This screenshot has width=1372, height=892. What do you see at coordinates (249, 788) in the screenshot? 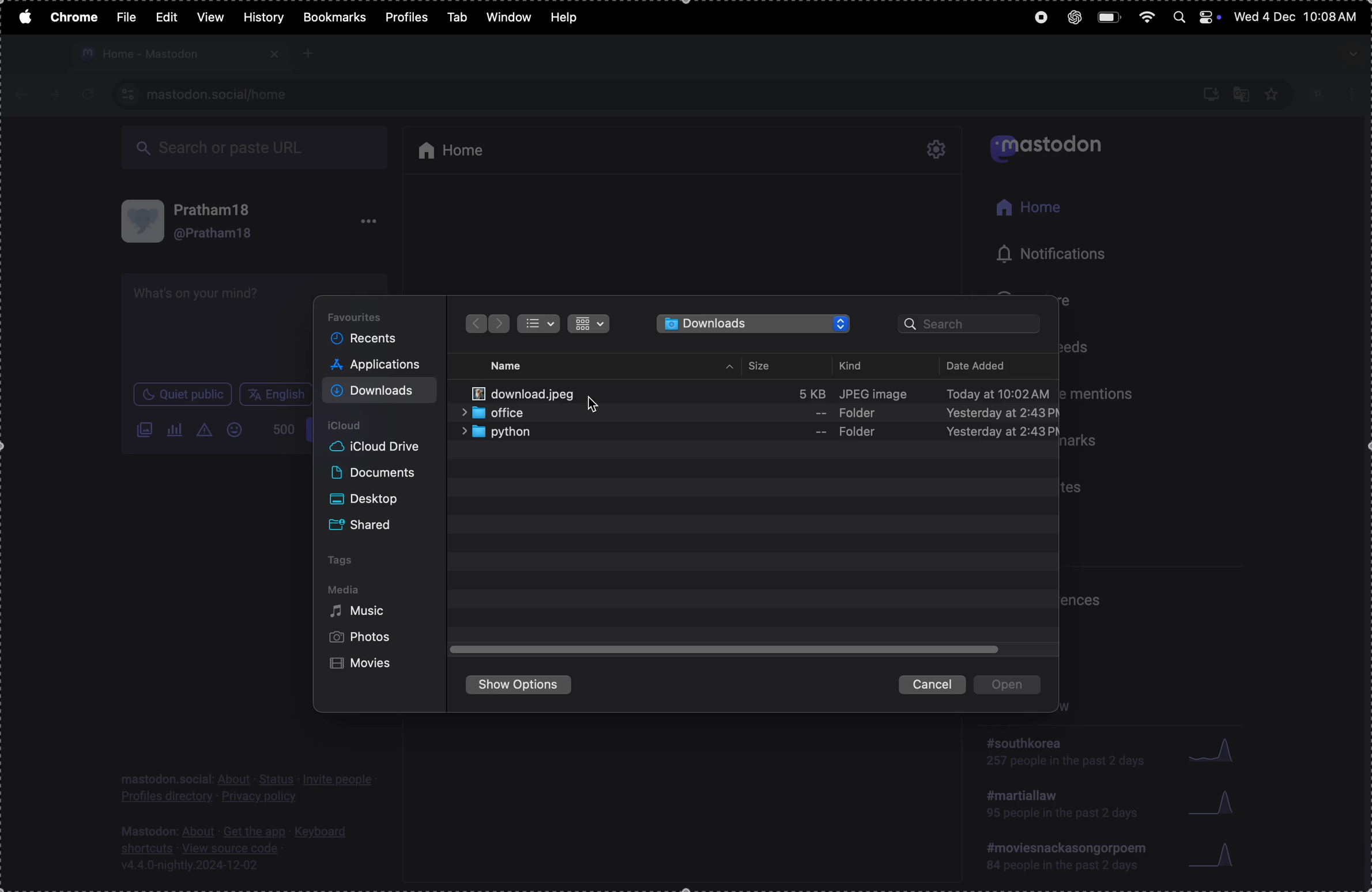
I see `Privacy policy` at bounding box center [249, 788].